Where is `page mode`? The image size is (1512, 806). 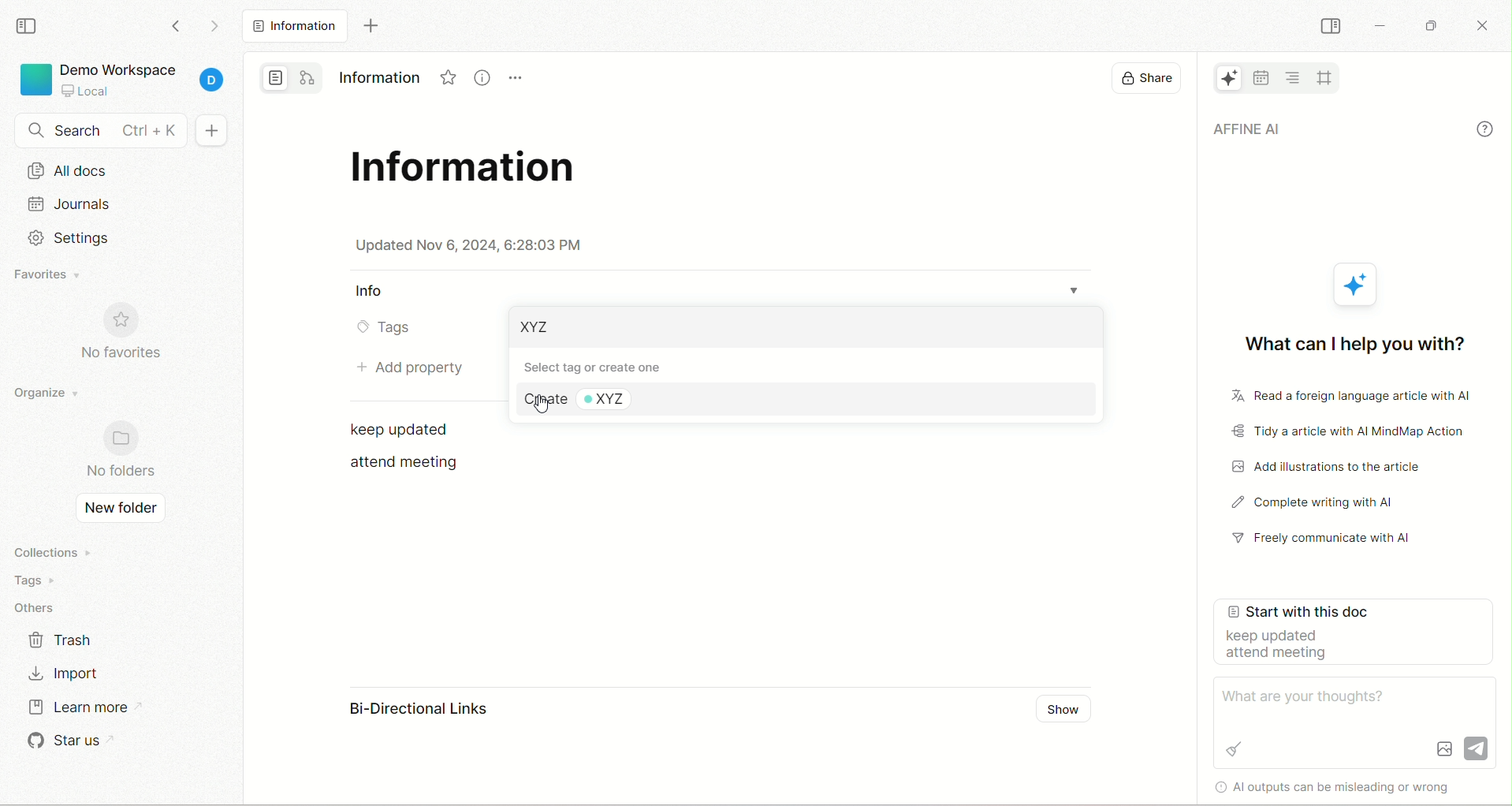
page mode is located at coordinates (274, 78).